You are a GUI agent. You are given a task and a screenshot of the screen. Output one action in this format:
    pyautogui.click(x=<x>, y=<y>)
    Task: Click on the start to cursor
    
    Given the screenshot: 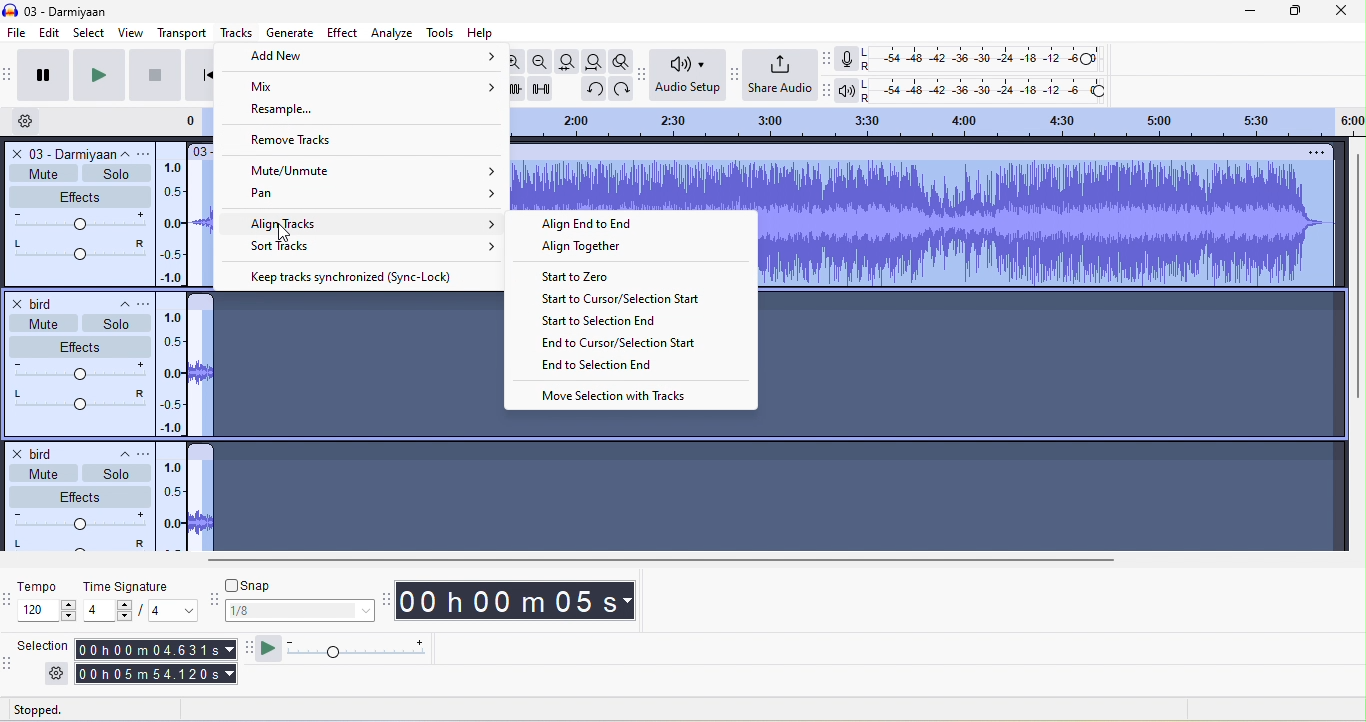 What is the action you would take?
    pyautogui.click(x=622, y=300)
    